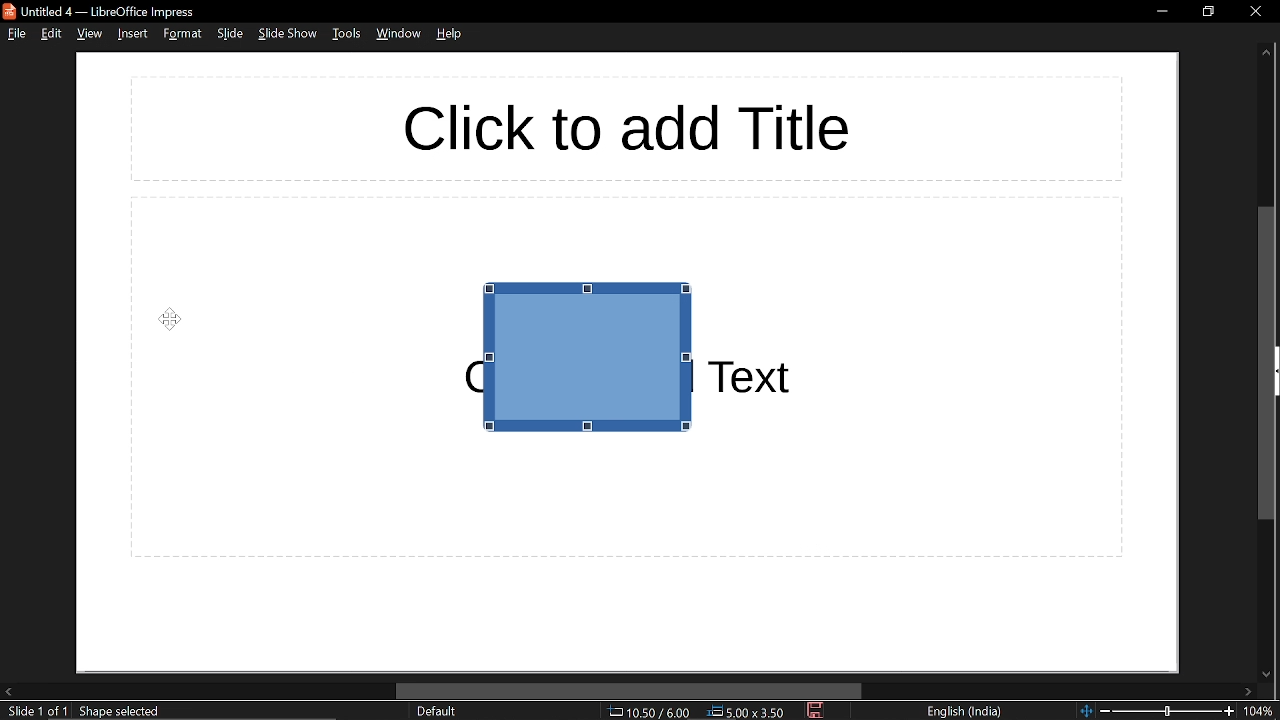  What do you see at coordinates (1208, 11) in the screenshot?
I see `restore down` at bounding box center [1208, 11].